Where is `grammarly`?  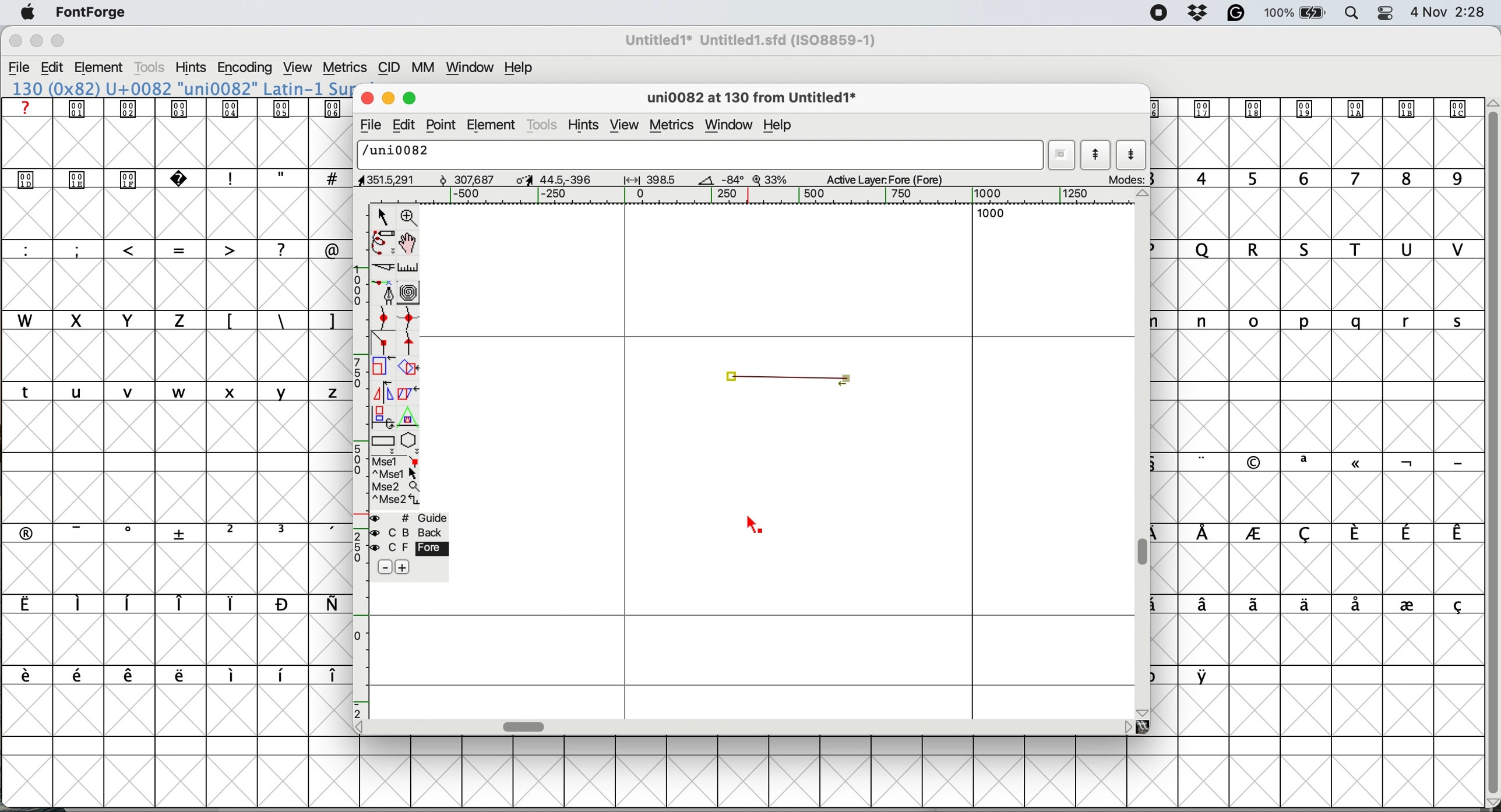
grammarly is located at coordinates (1238, 14).